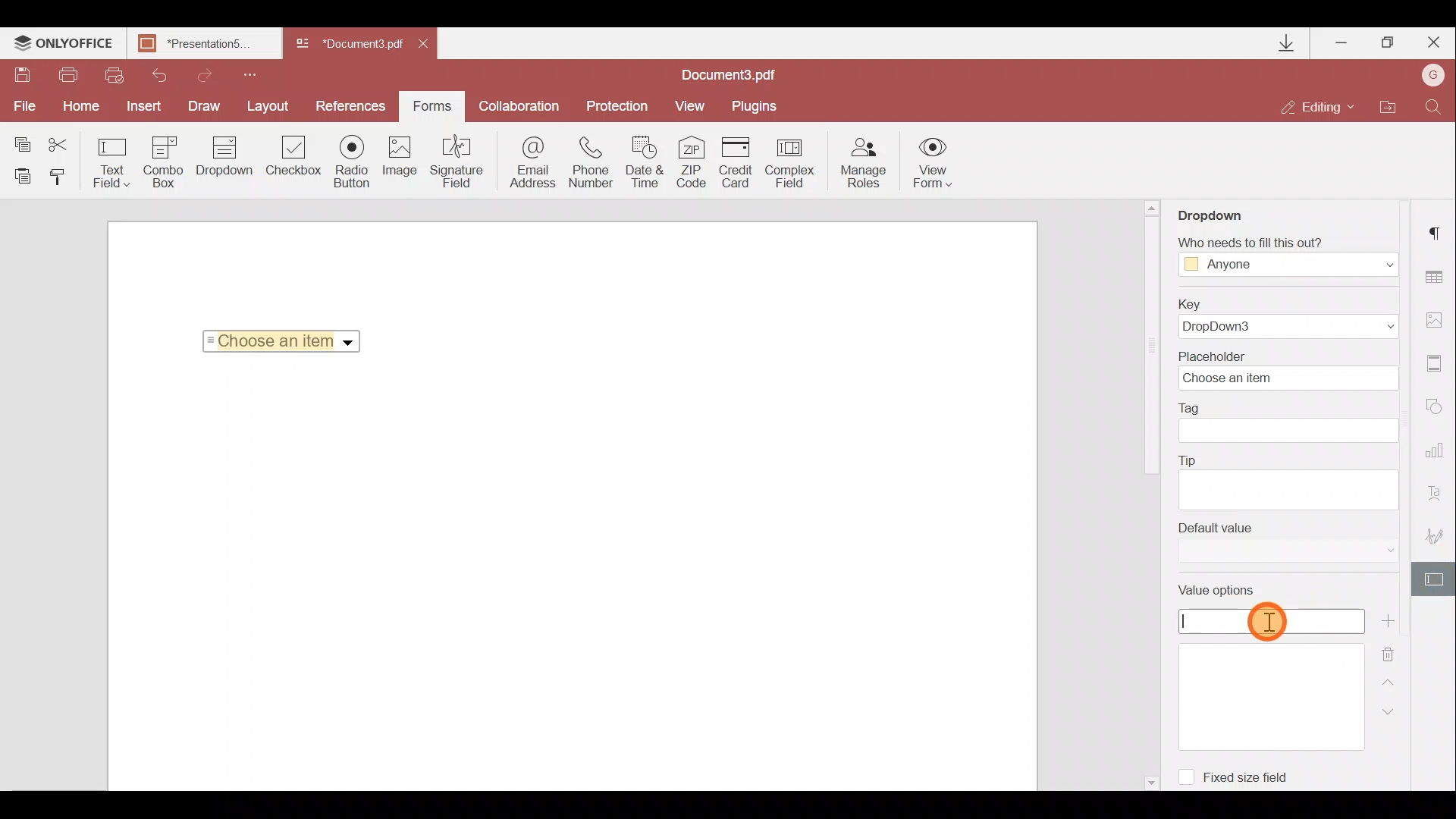 This screenshot has width=1456, height=819. Describe the element at coordinates (1268, 623) in the screenshot. I see `Pointer` at that location.